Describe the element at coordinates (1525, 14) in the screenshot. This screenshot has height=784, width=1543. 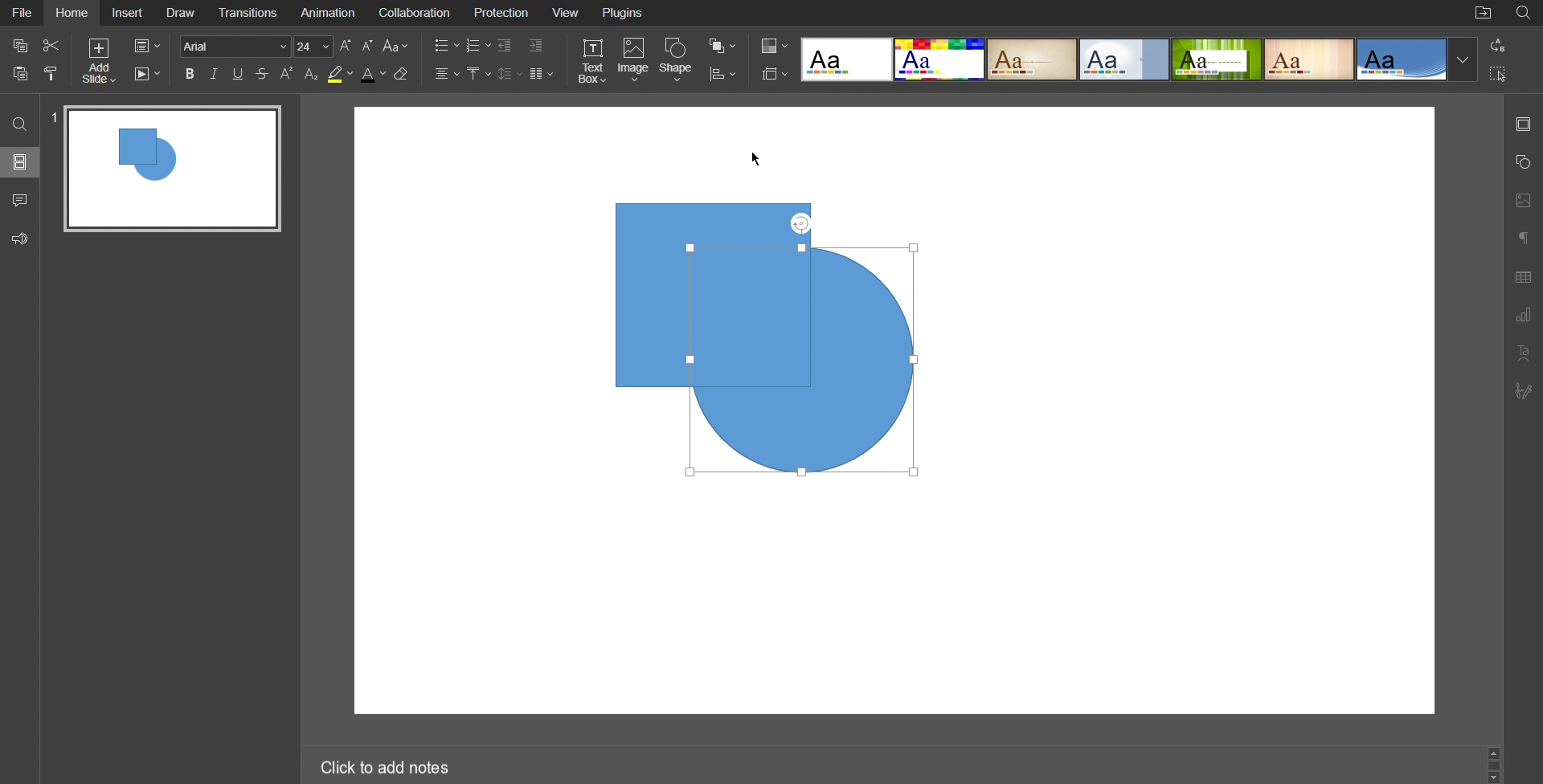
I see `Search` at that location.